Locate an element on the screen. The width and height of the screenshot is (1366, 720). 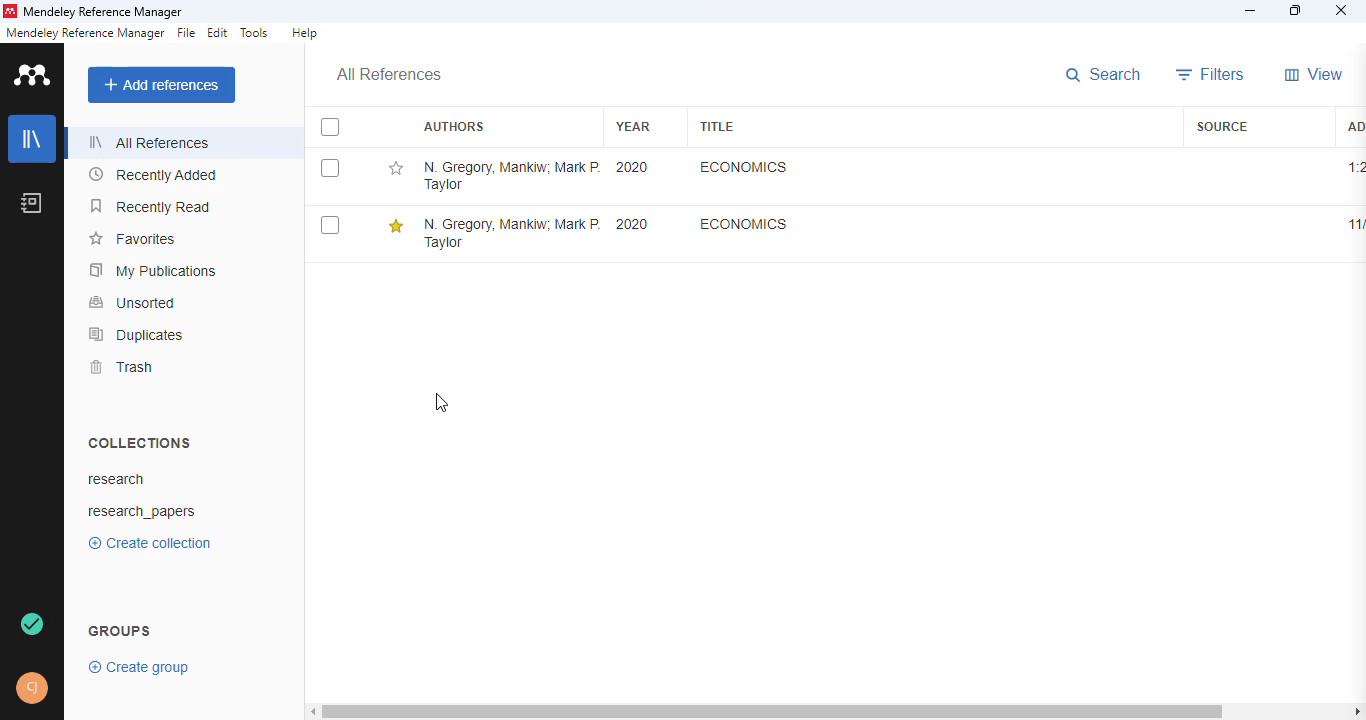
my publications is located at coordinates (152, 271).